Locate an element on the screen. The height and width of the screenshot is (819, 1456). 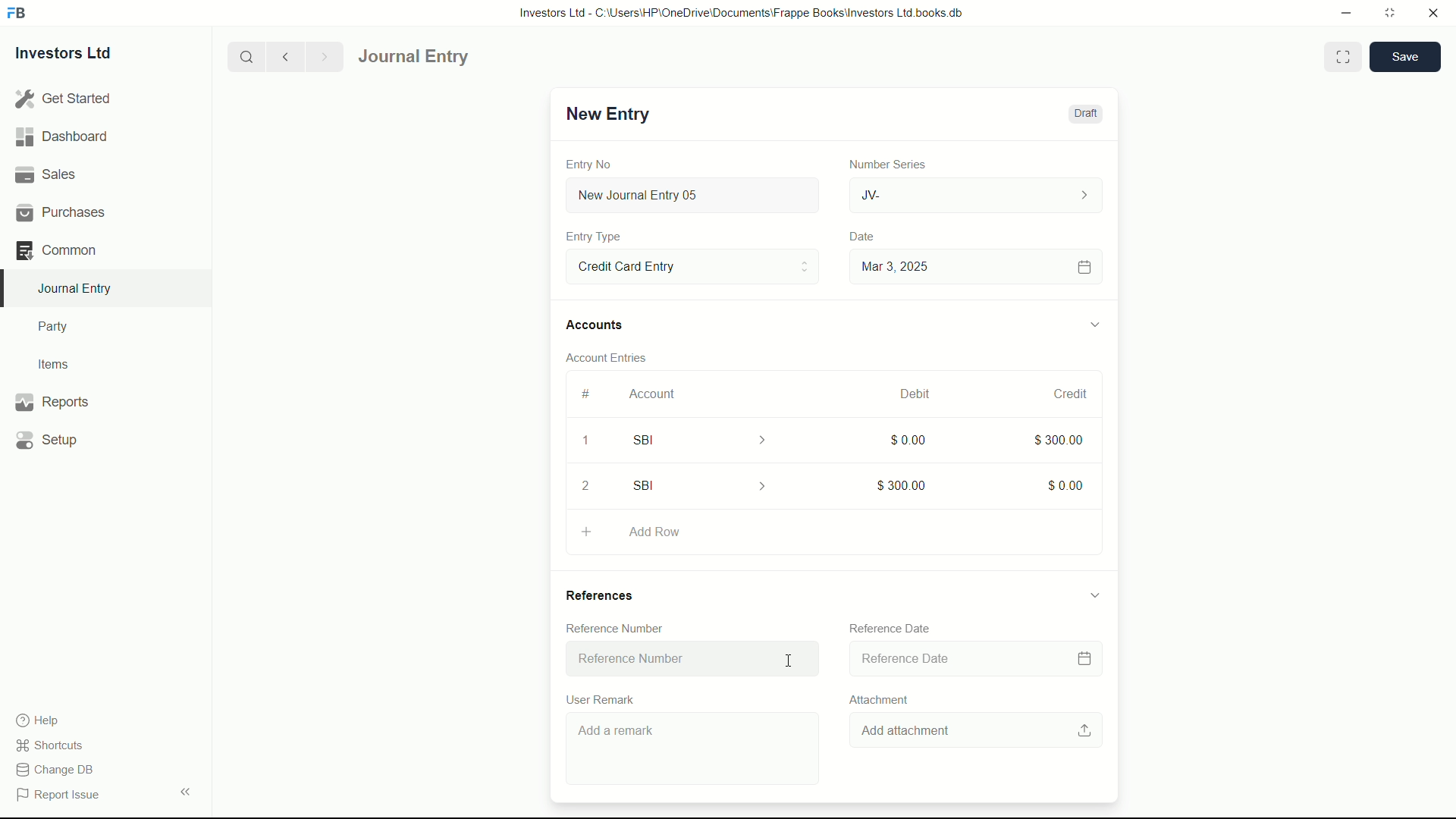
$300.00 is located at coordinates (1060, 441).